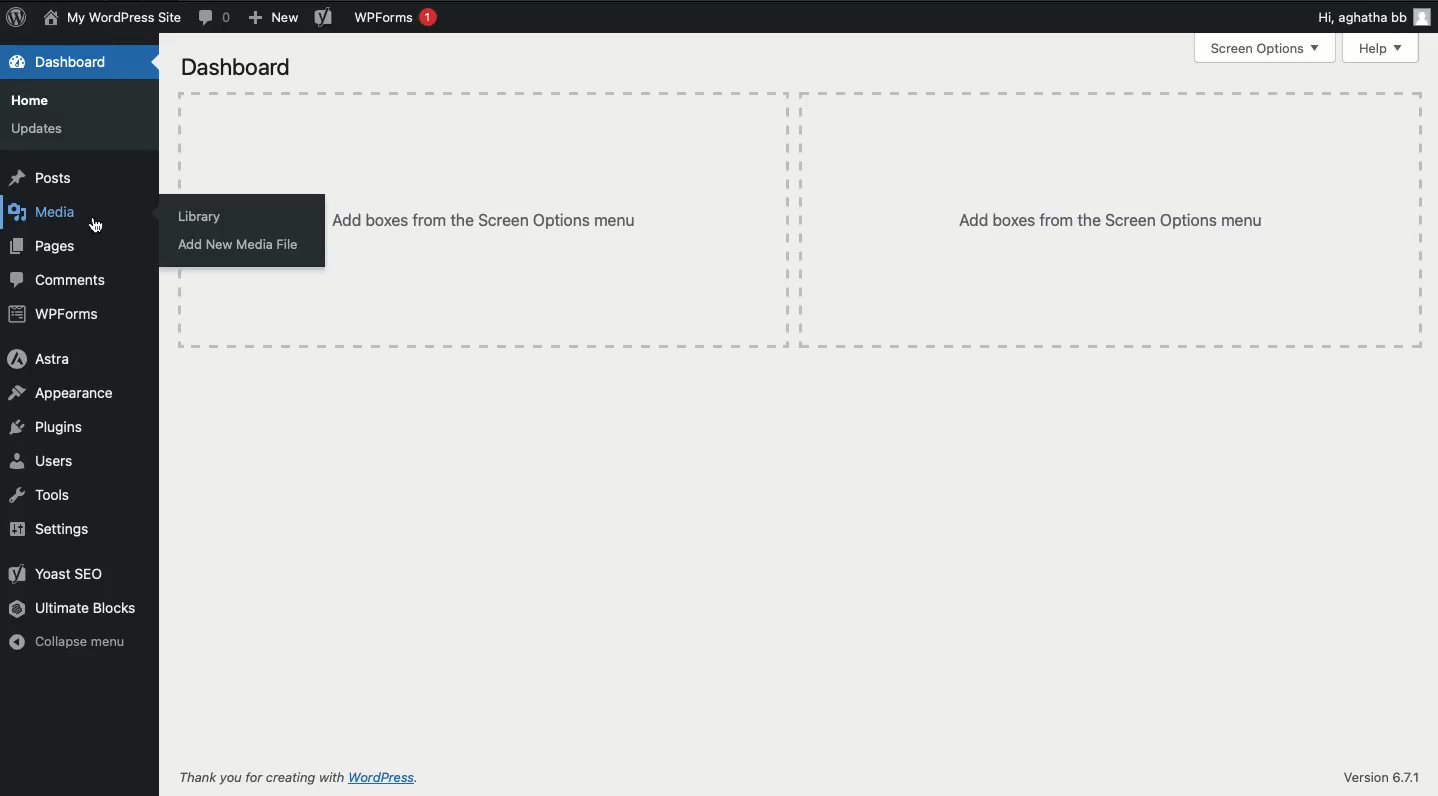 The image size is (1438, 796). I want to click on Version 6.7.1, so click(1380, 778).